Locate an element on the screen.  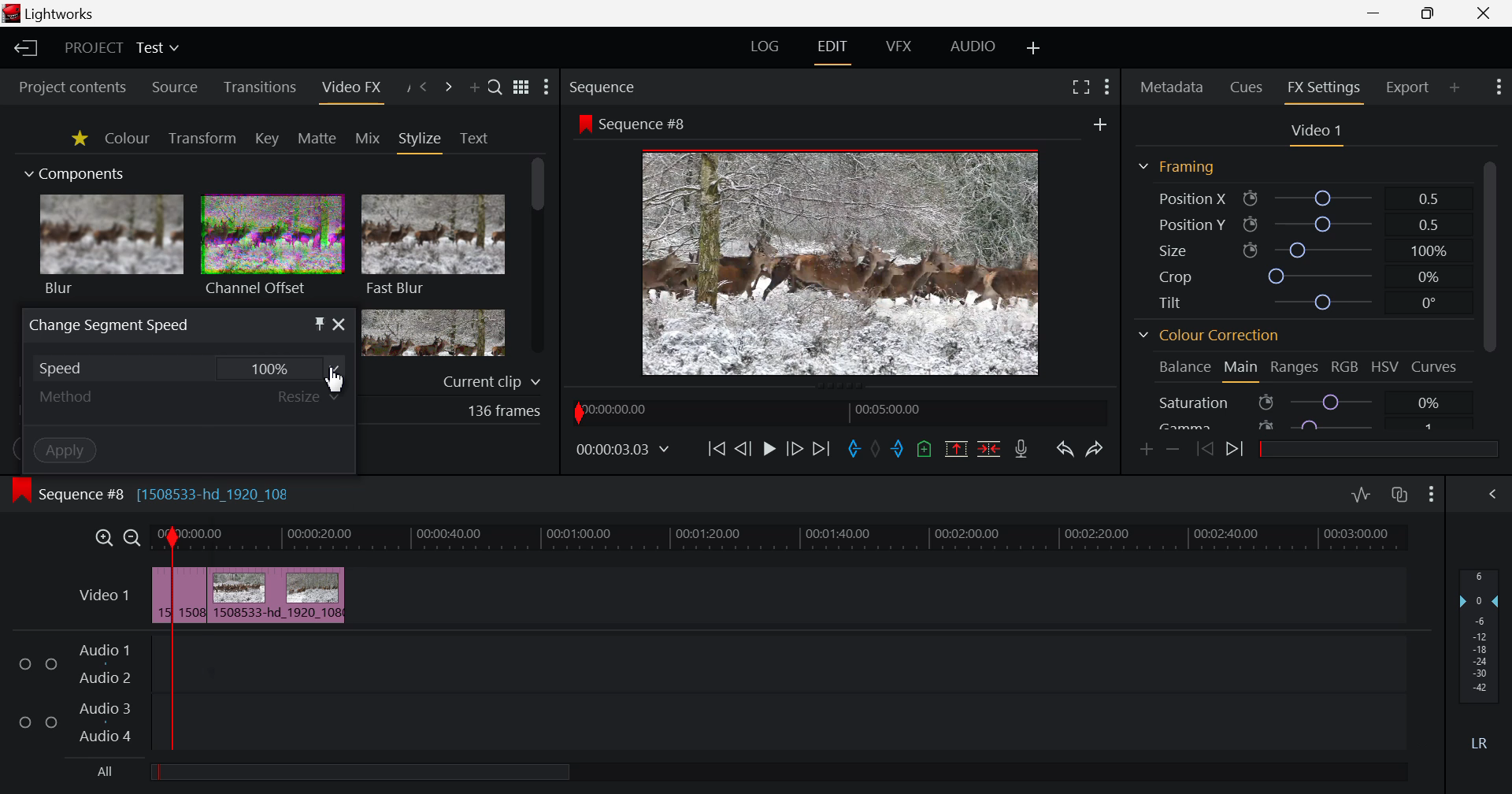
Metadata is located at coordinates (1170, 88).